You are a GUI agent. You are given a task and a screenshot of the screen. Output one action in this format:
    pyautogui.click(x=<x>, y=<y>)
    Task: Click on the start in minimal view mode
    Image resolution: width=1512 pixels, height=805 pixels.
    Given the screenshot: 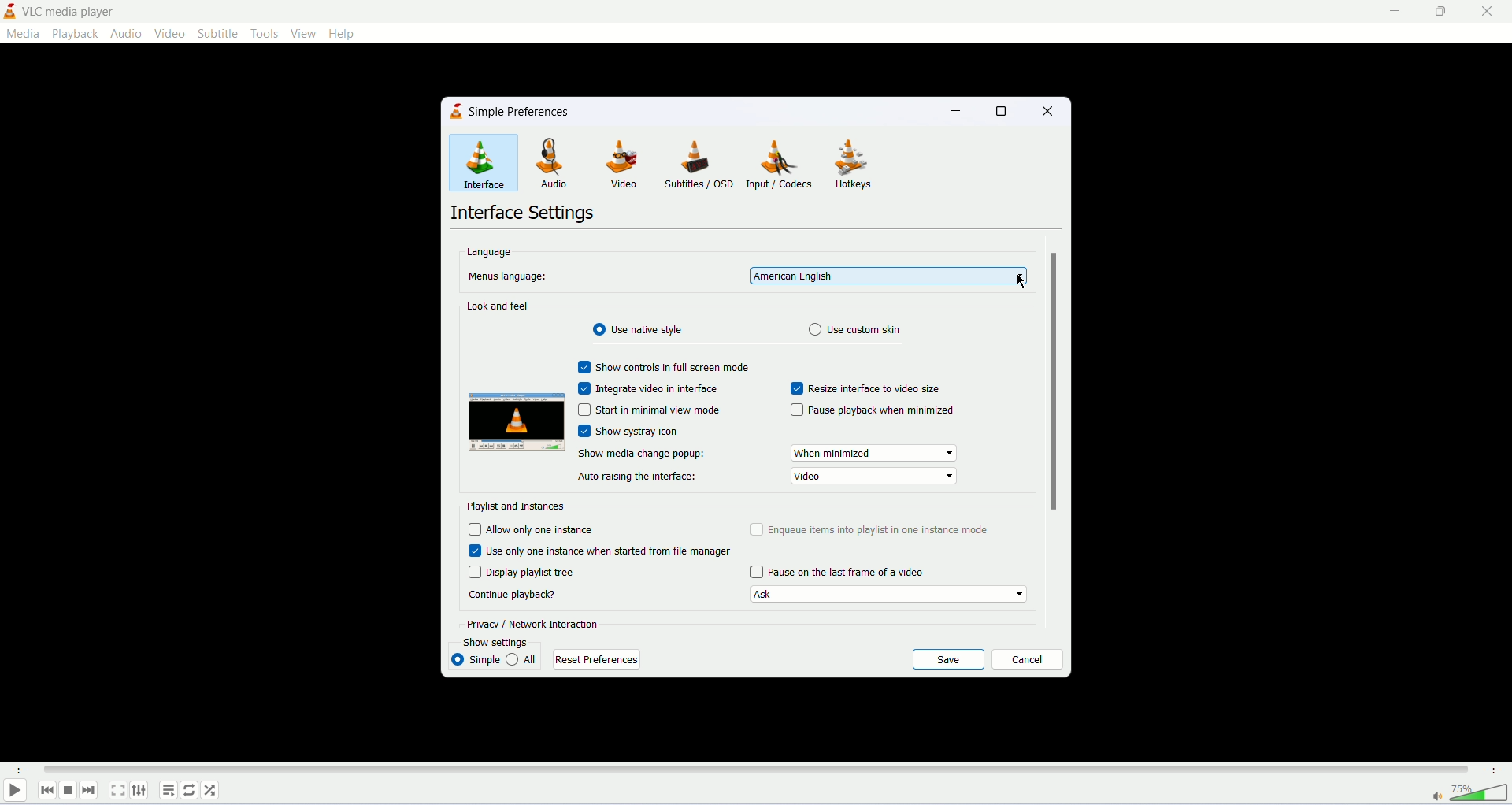 What is the action you would take?
    pyautogui.click(x=647, y=410)
    